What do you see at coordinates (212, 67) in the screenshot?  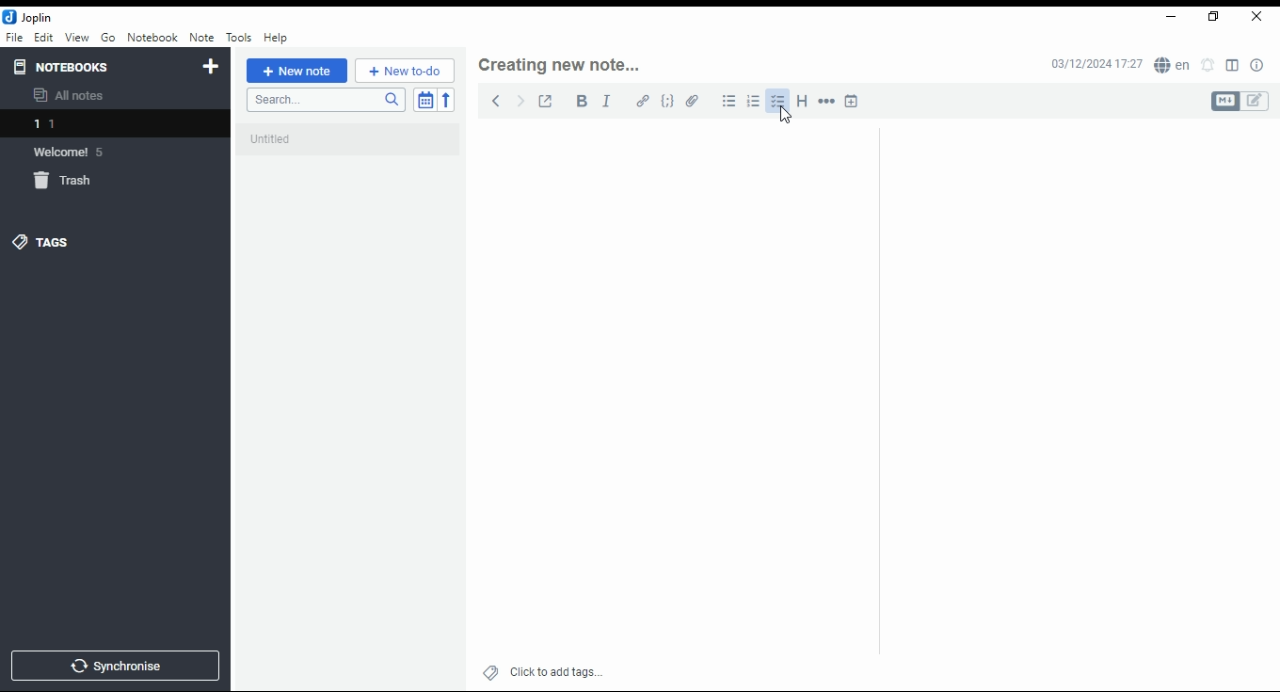 I see `new notebook` at bounding box center [212, 67].